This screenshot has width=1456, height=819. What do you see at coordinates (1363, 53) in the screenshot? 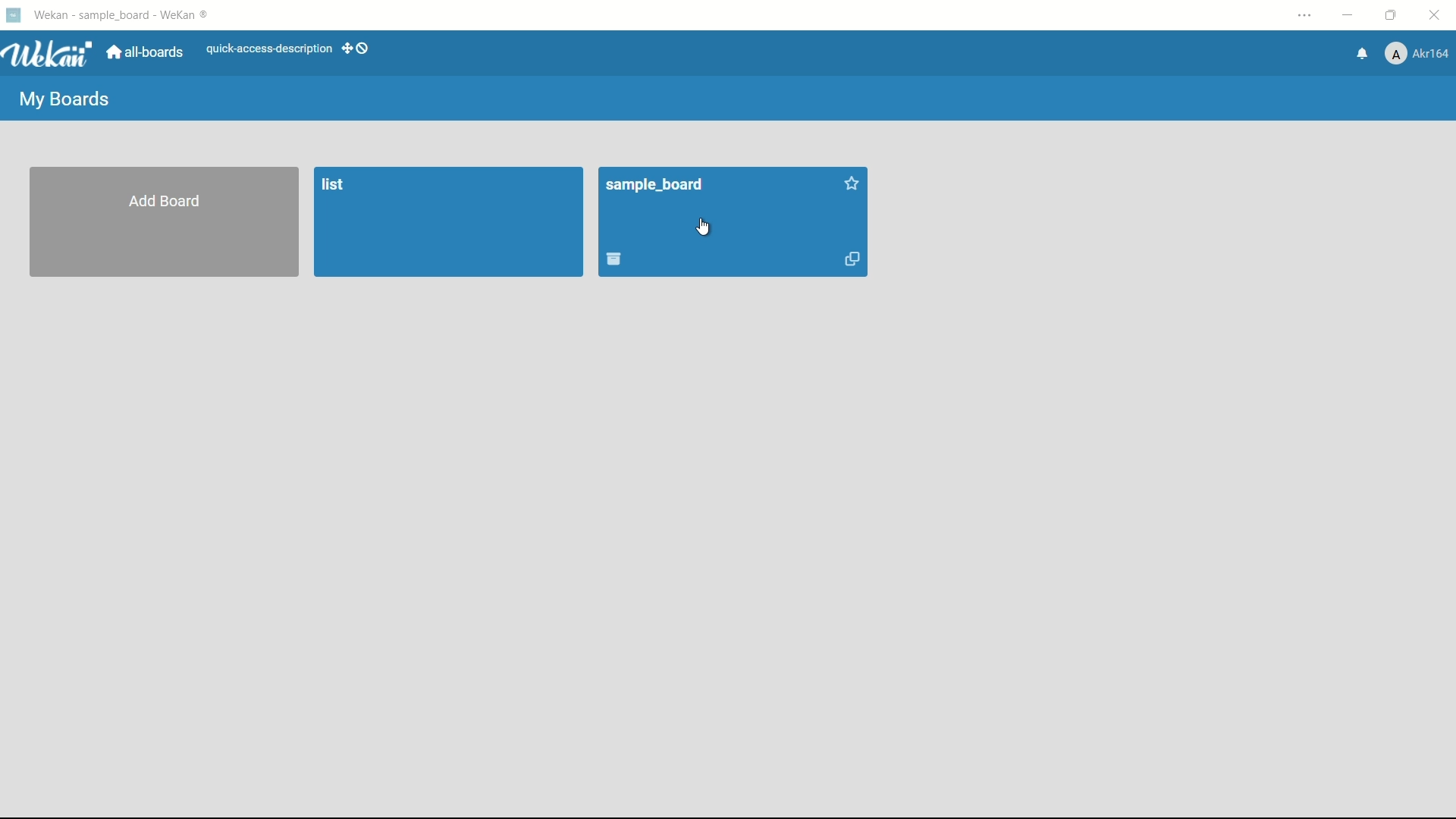
I see `notifications` at bounding box center [1363, 53].